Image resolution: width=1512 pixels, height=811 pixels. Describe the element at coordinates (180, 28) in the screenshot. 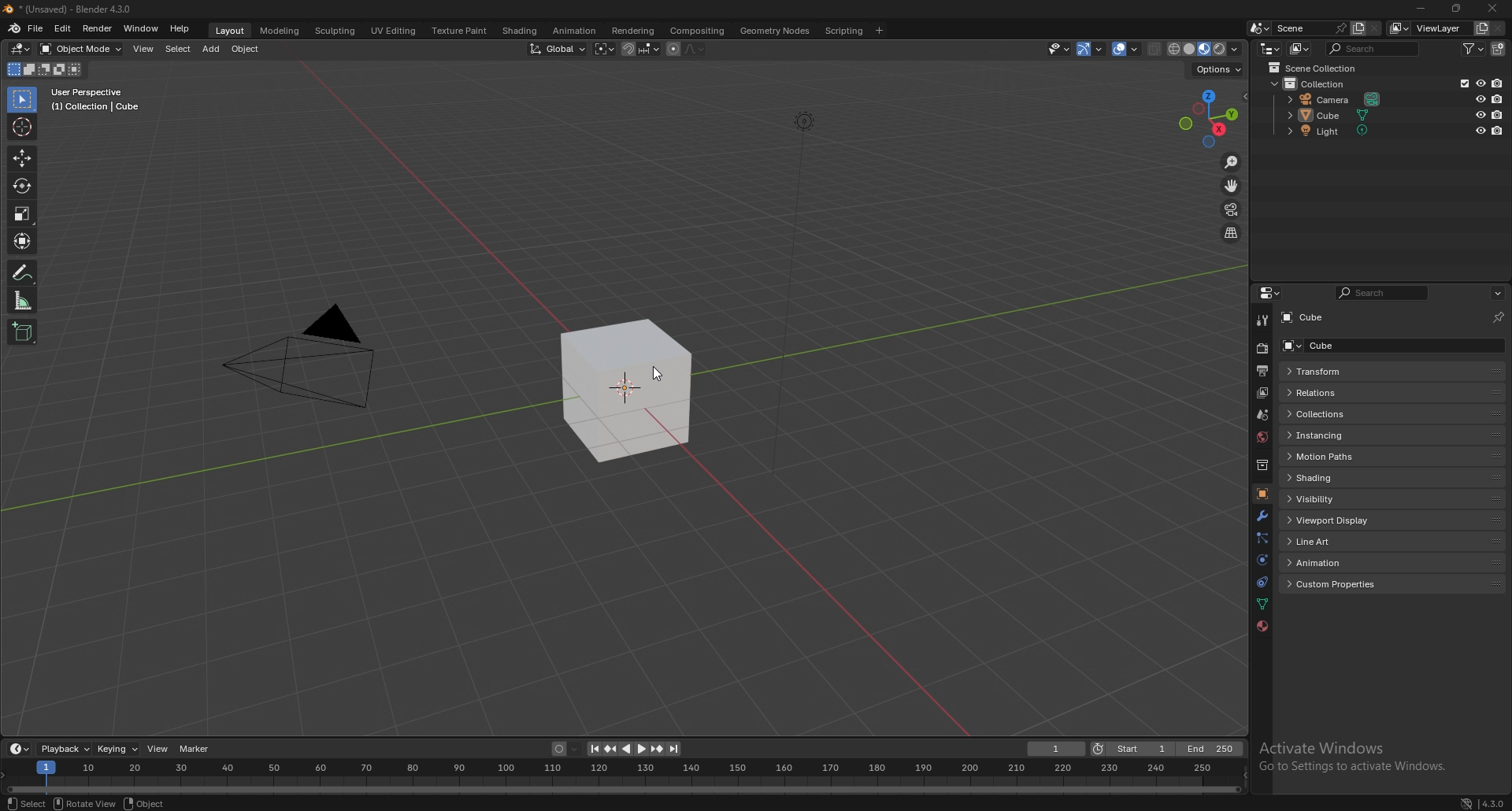

I see `help` at that location.